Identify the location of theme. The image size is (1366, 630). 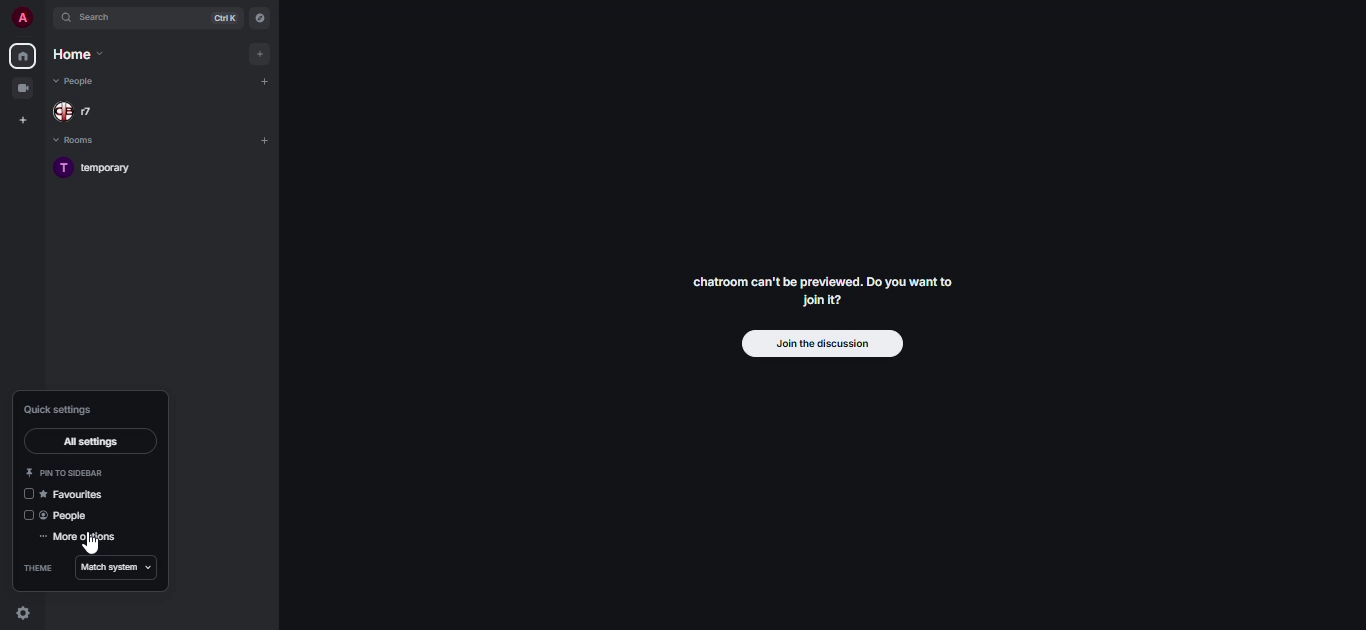
(36, 569).